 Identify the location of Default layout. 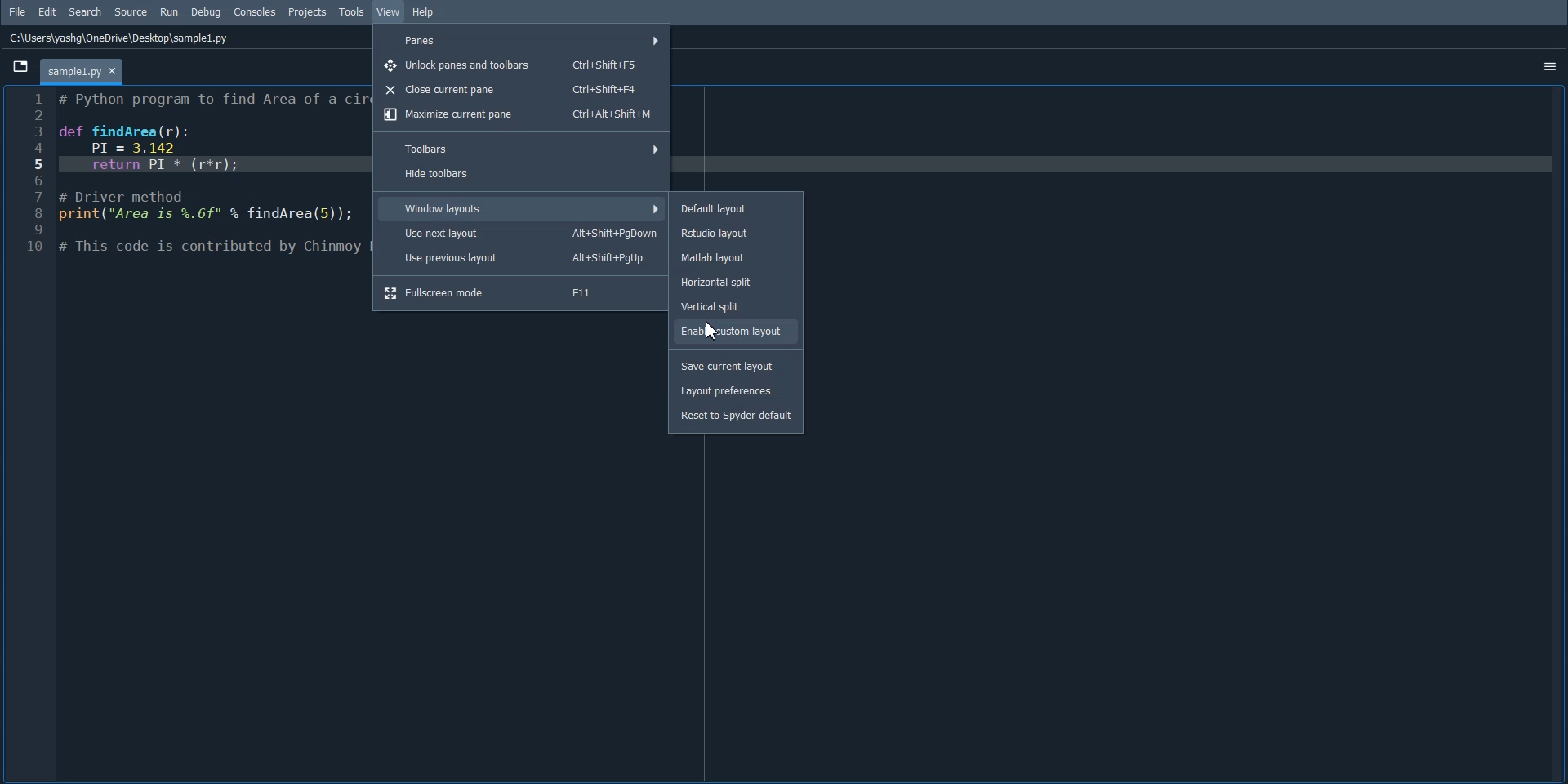
(736, 208).